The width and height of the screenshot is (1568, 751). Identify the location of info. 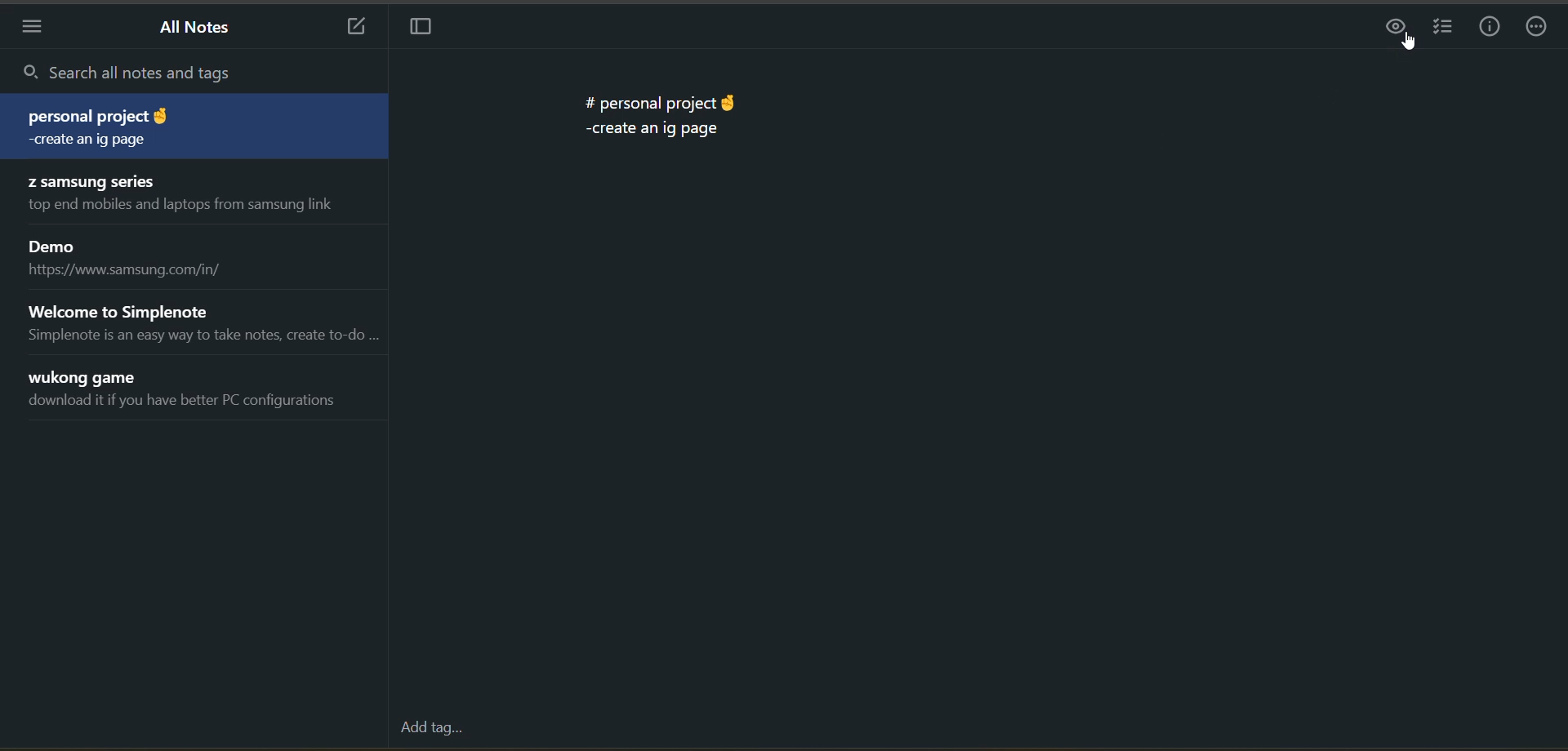
(1492, 26).